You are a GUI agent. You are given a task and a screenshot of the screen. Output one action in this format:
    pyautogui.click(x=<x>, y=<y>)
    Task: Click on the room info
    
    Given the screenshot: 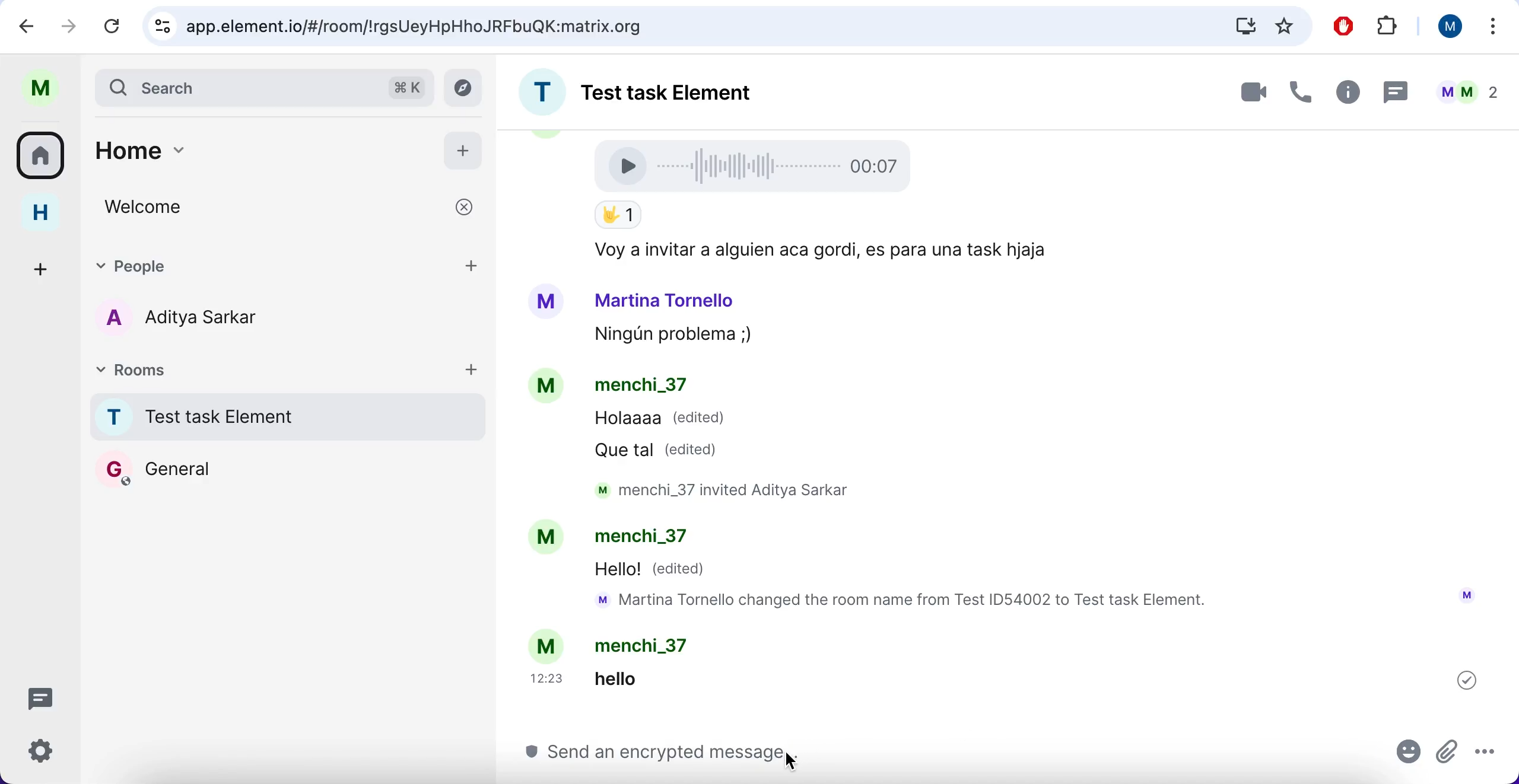 What is the action you would take?
    pyautogui.click(x=1345, y=94)
    